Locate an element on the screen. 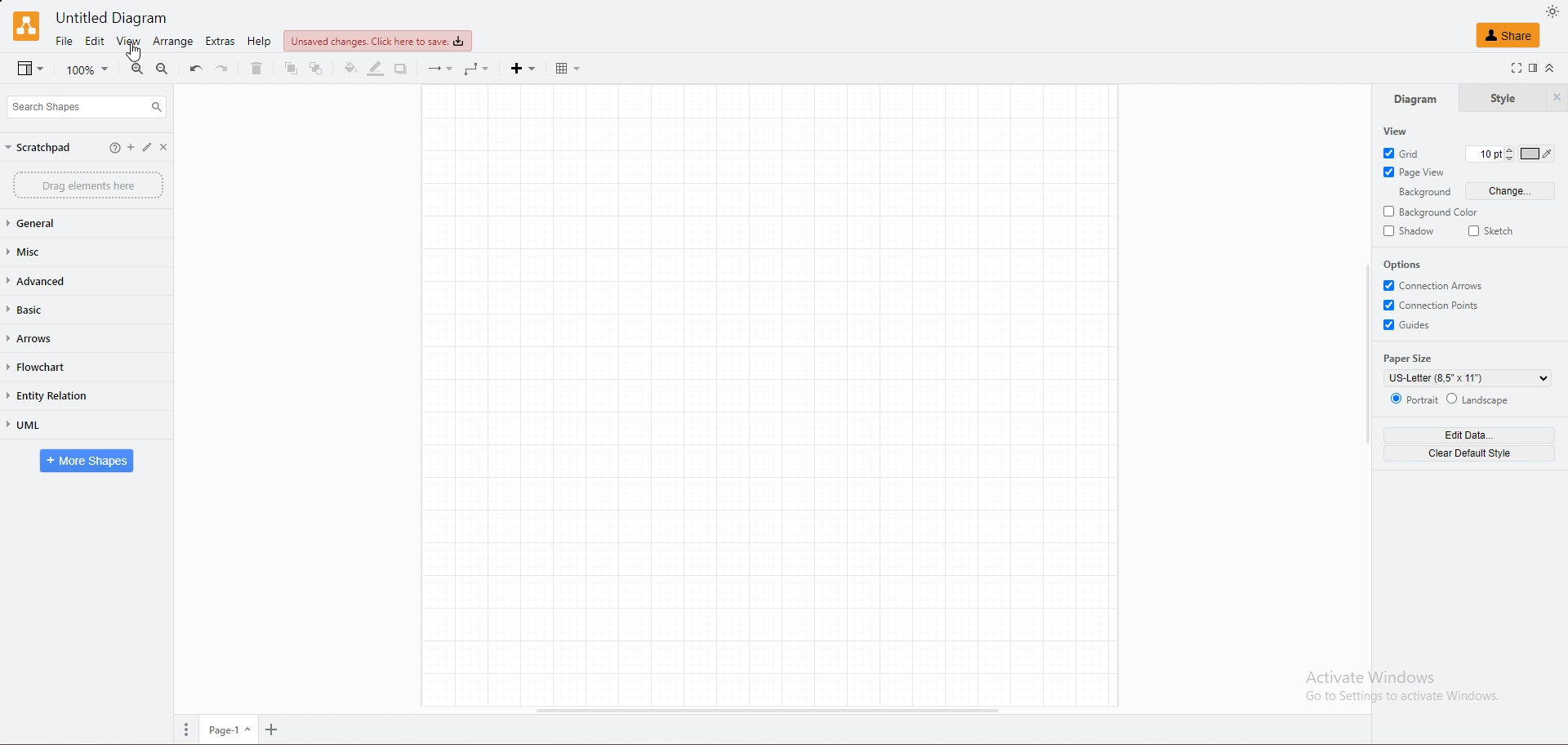 The image size is (1568, 745). share is located at coordinates (1508, 36).